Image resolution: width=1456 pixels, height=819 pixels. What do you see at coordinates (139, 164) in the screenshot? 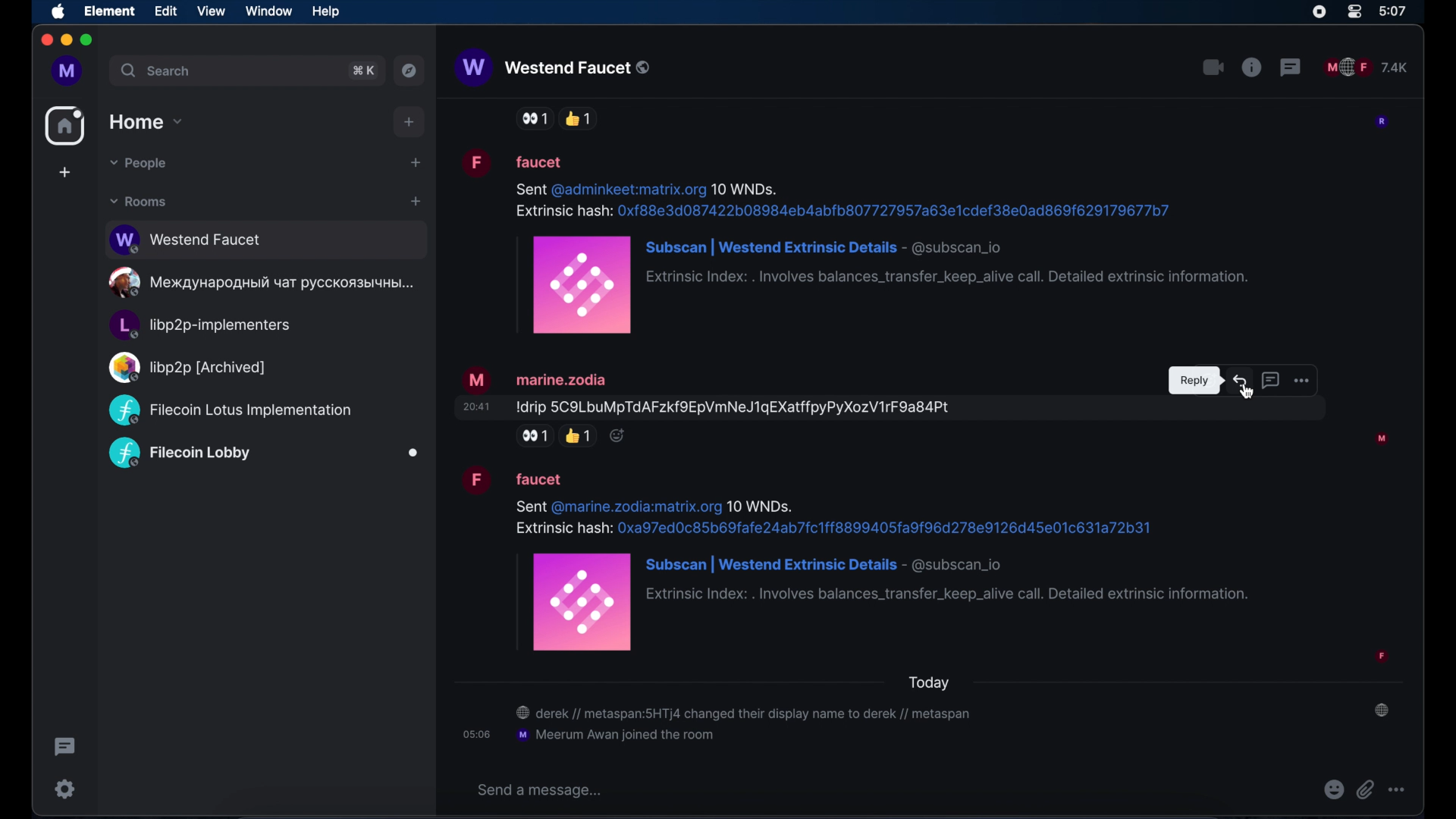
I see `people dropdown` at bounding box center [139, 164].